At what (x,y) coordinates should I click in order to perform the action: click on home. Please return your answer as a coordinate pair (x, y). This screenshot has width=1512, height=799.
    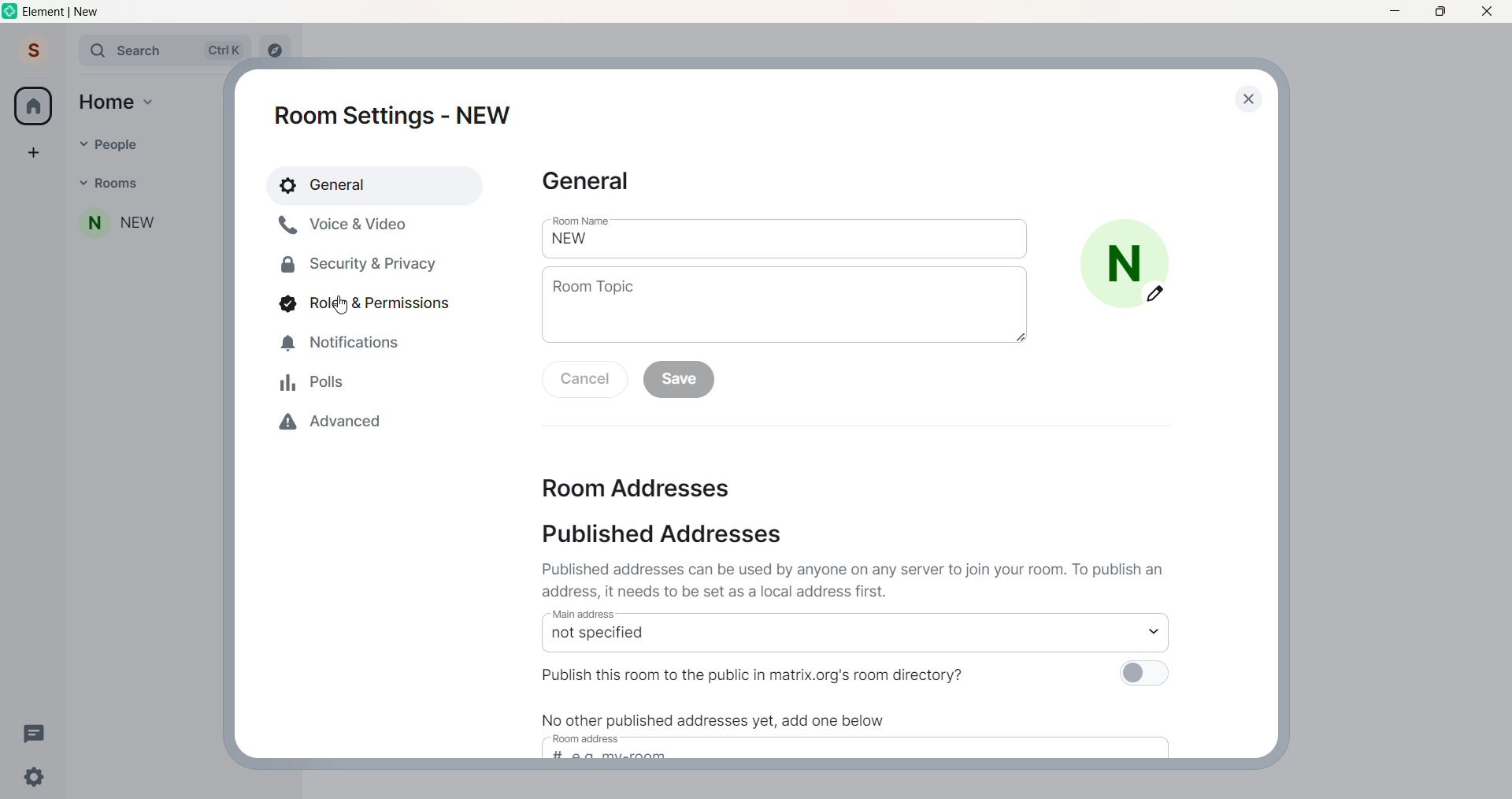
    Looking at the image, I should click on (34, 105).